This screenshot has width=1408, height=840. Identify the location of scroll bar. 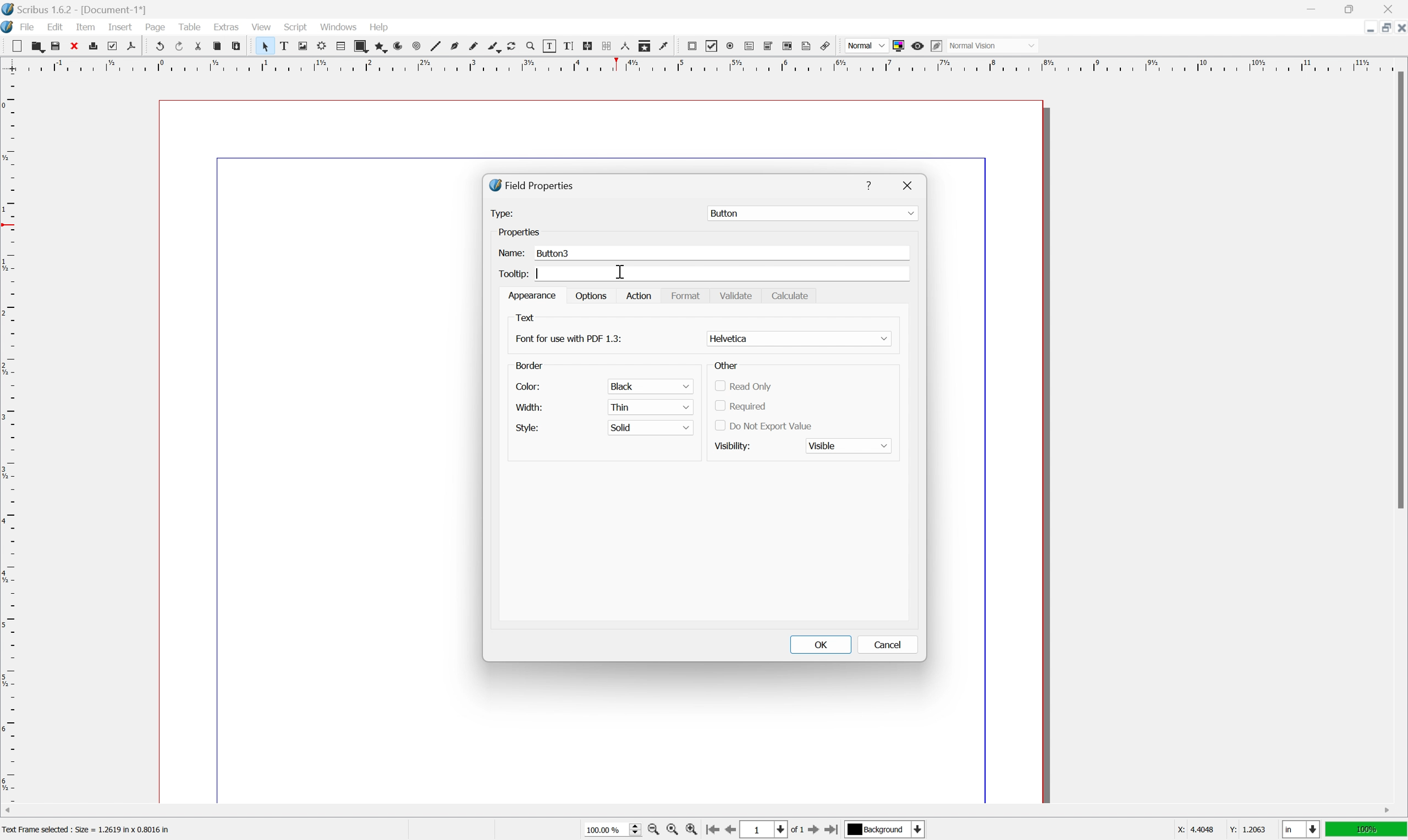
(699, 810).